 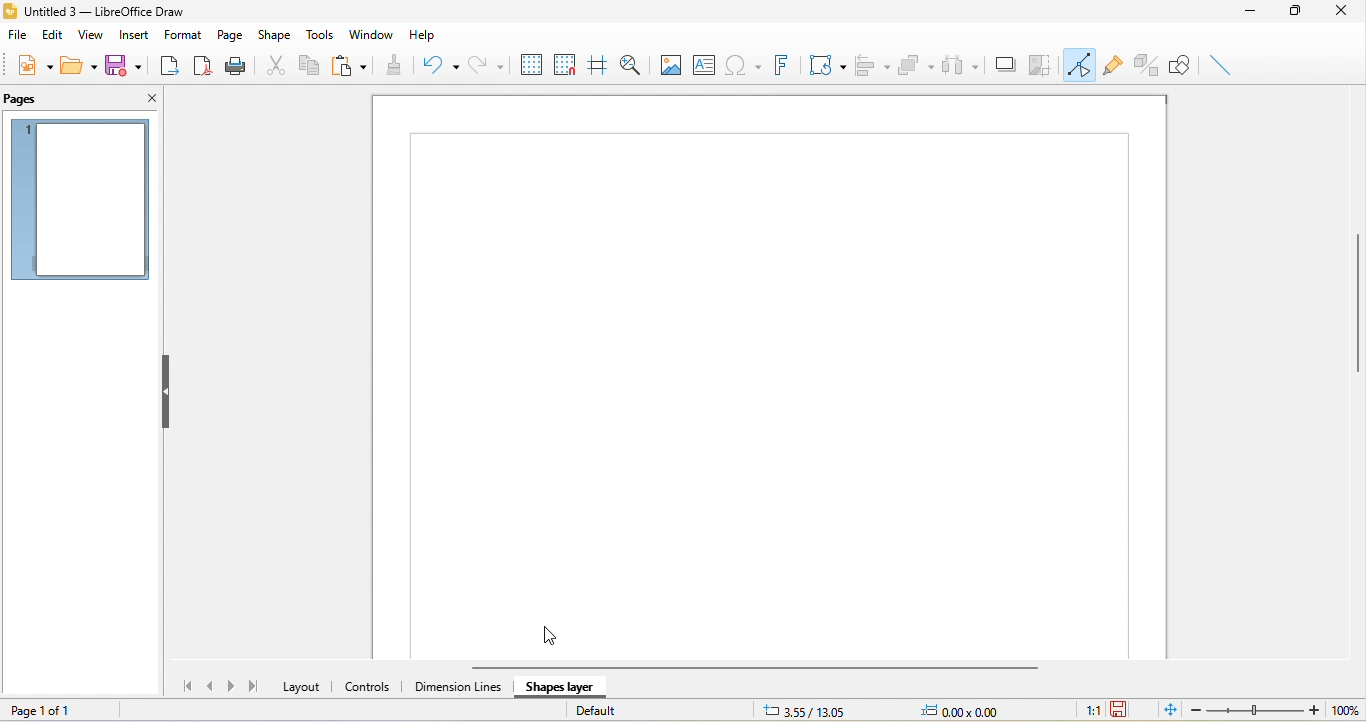 What do you see at coordinates (131, 36) in the screenshot?
I see `insert` at bounding box center [131, 36].